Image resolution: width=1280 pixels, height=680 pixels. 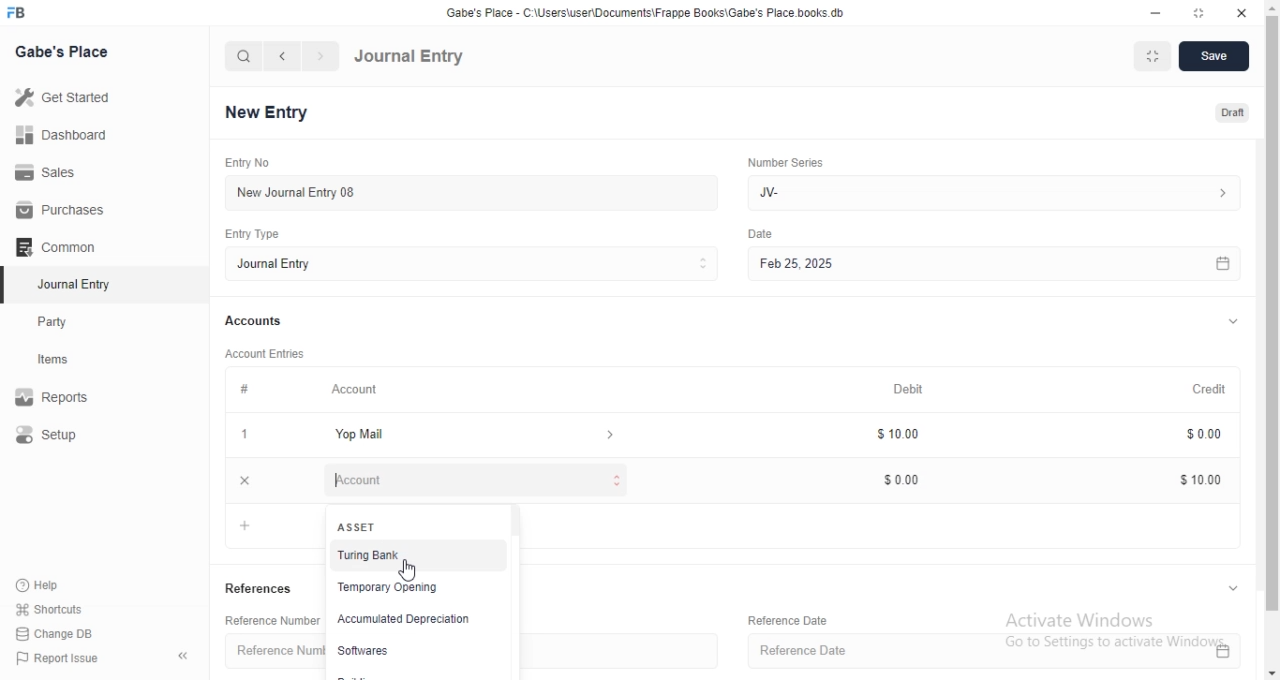 I want to click on Journal Entry, so click(x=410, y=57).